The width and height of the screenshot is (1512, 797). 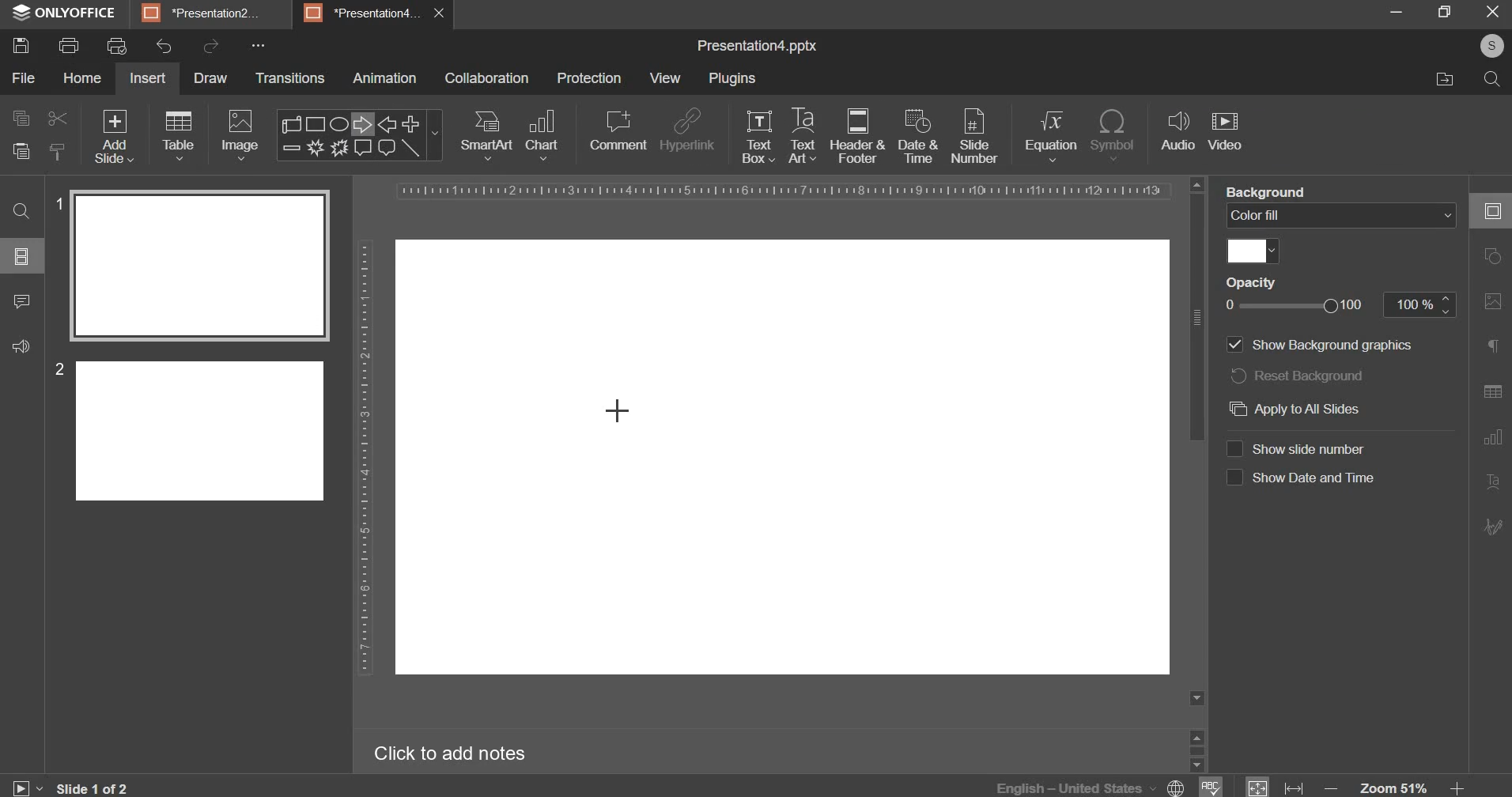 I want to click on show background graphics, so click(x=1234, y=343).